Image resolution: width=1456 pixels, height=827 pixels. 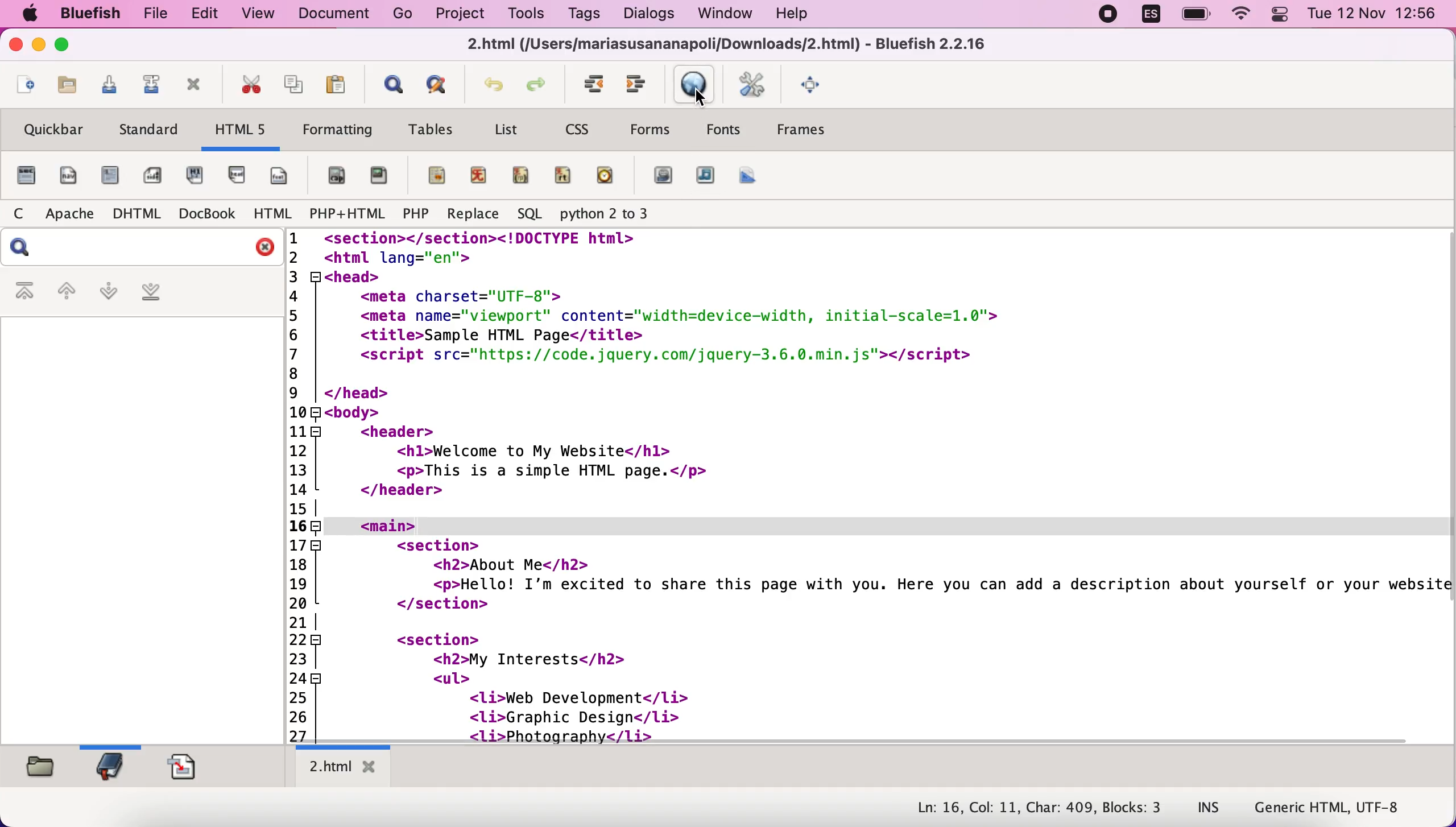 I want to click on paste, so click(x=335, y=84).